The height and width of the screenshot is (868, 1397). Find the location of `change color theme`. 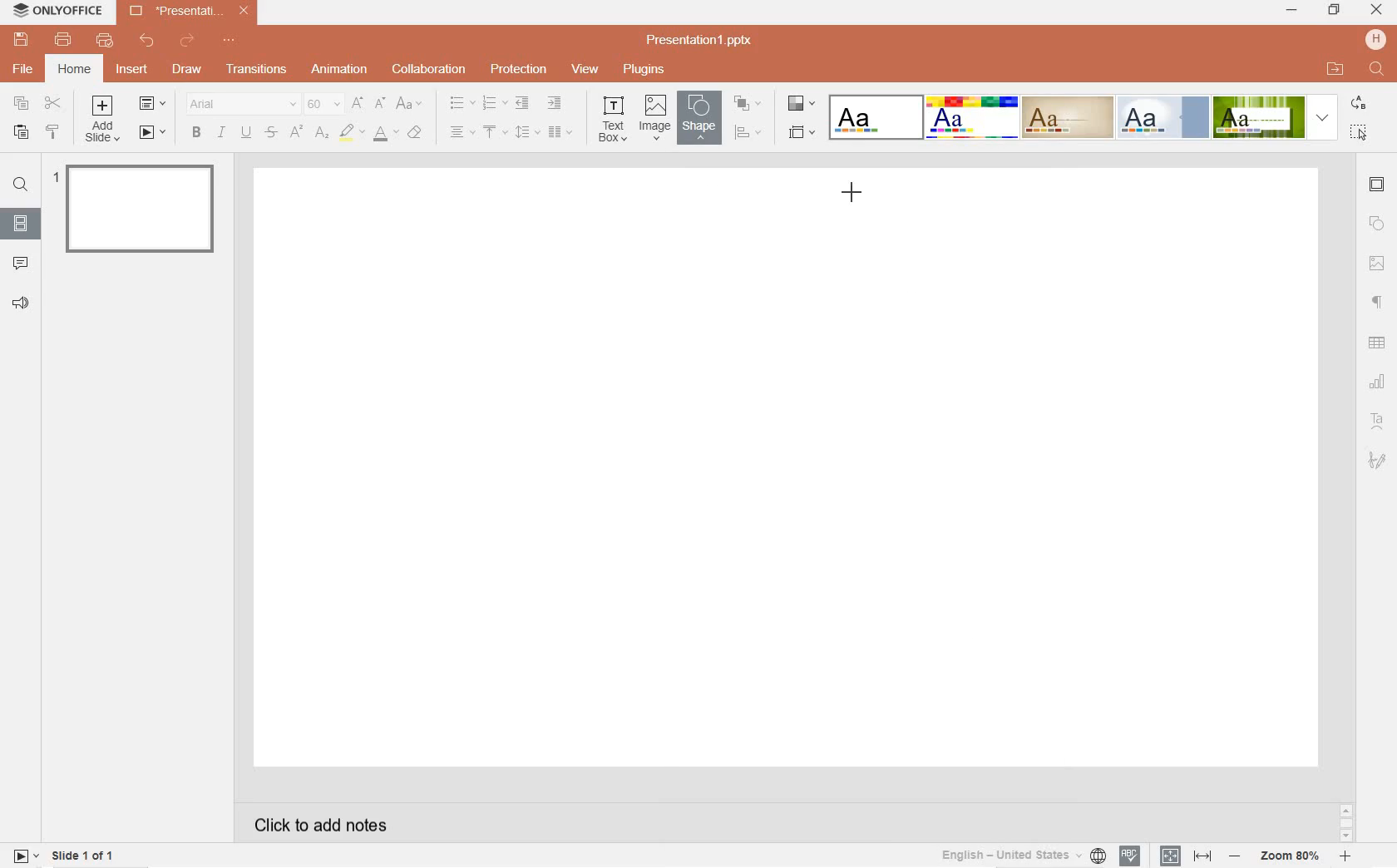

change color theme is located at coordinates (799, 106).